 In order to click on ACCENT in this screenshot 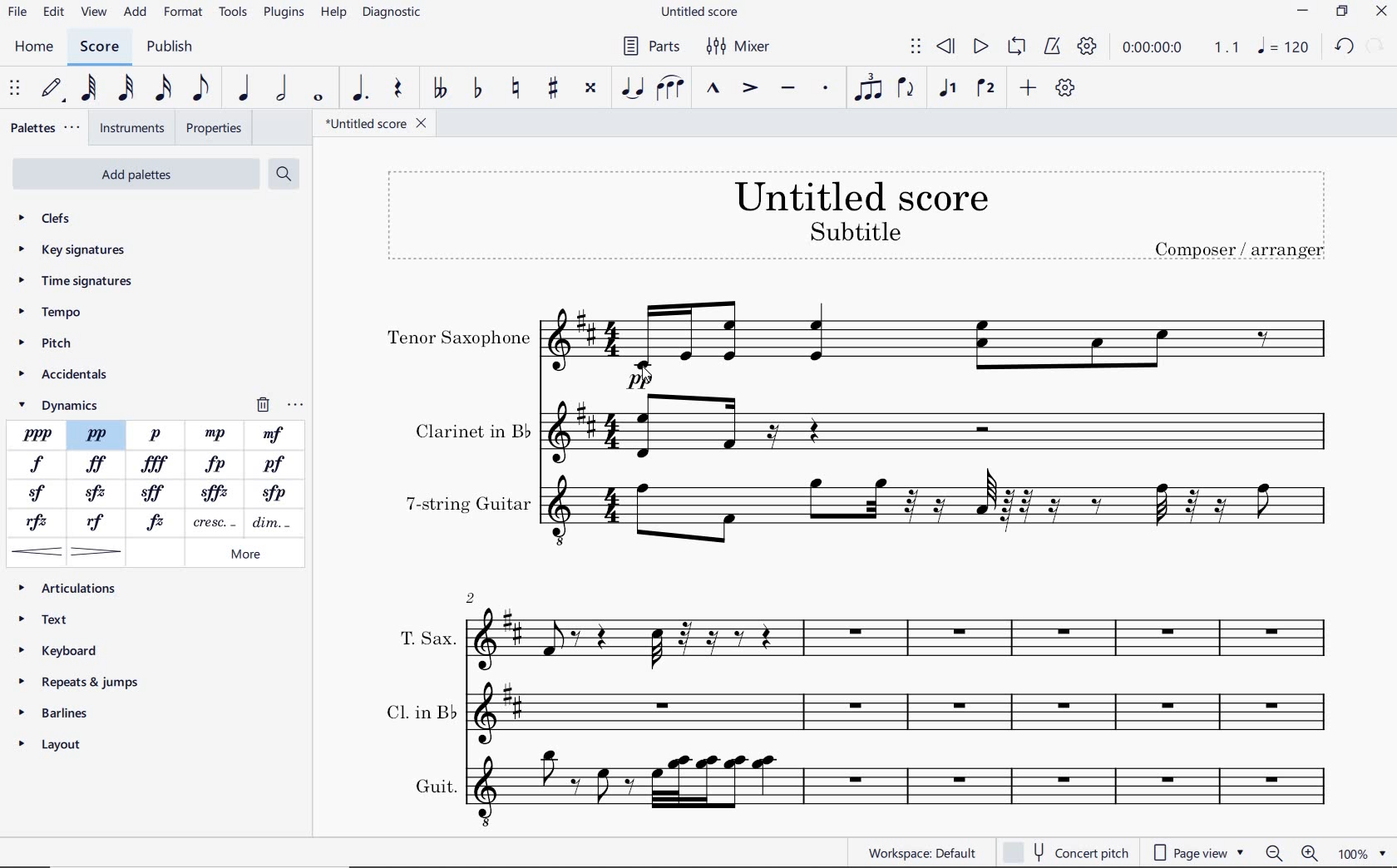, I will do `click(753, 89)`.